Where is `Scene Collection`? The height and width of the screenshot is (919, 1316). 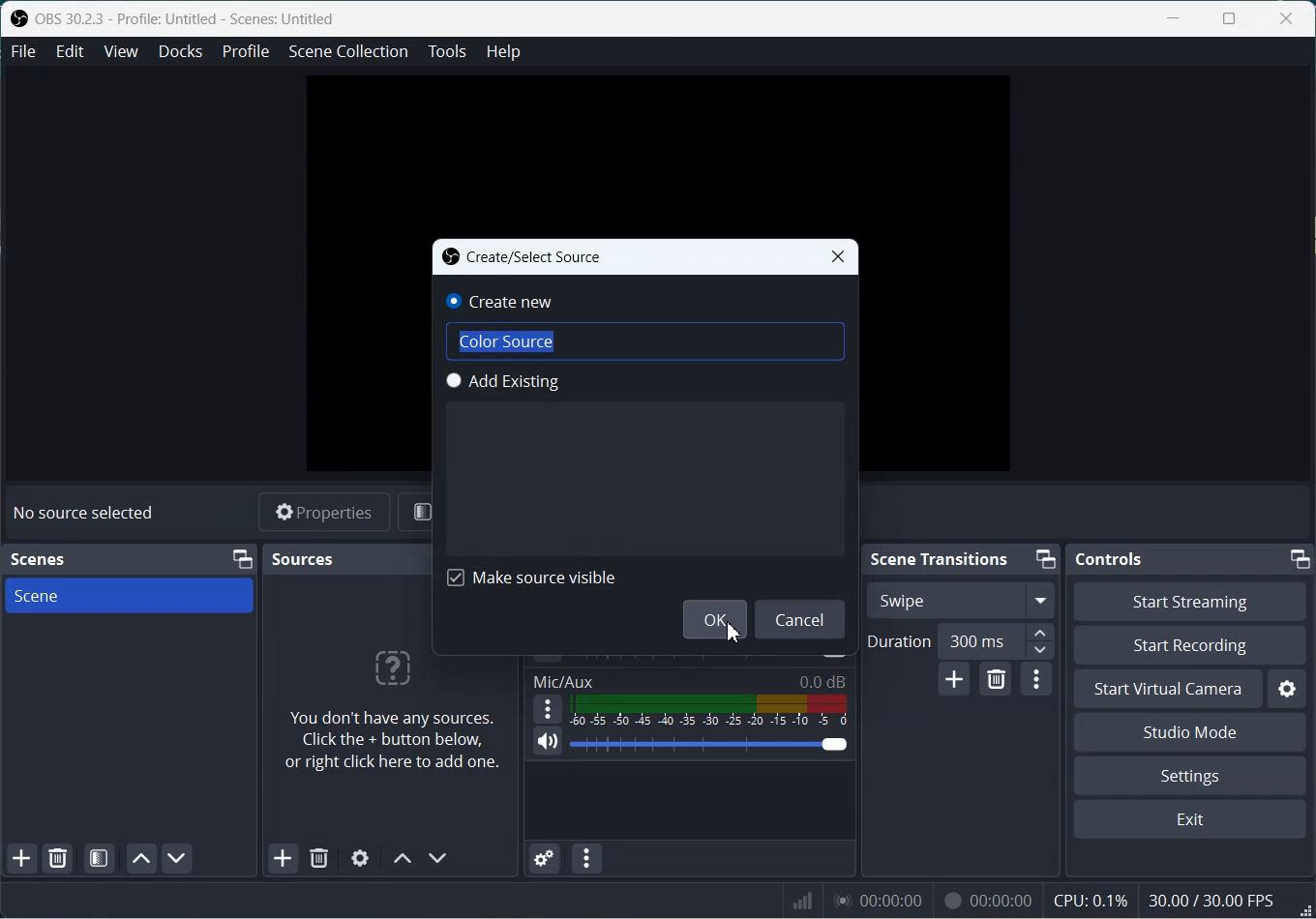 Scene Collection is located at coordinates (349, 52).